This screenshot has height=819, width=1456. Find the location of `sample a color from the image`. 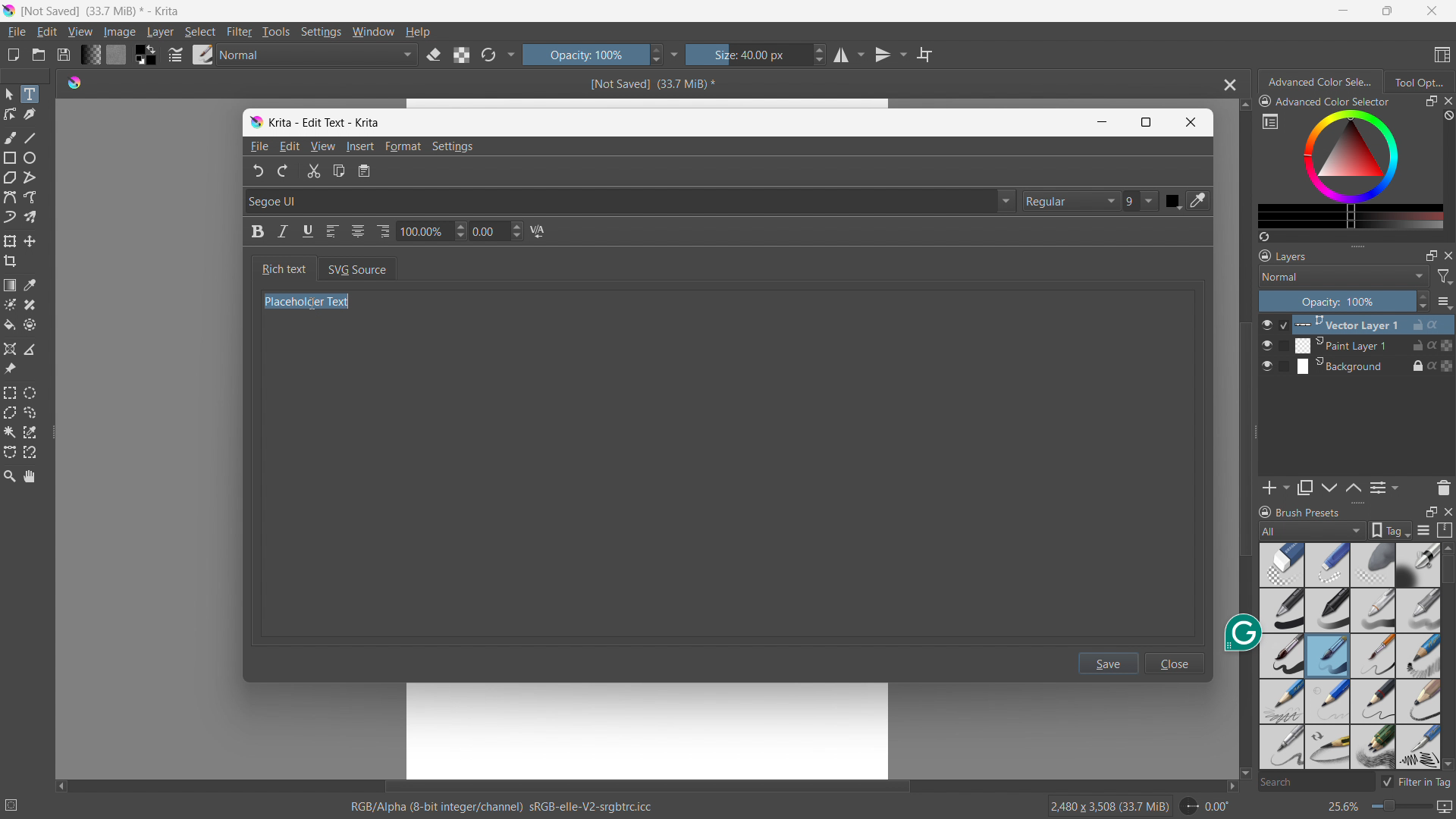

sample a color from the image is located at coordinates (30, 285).